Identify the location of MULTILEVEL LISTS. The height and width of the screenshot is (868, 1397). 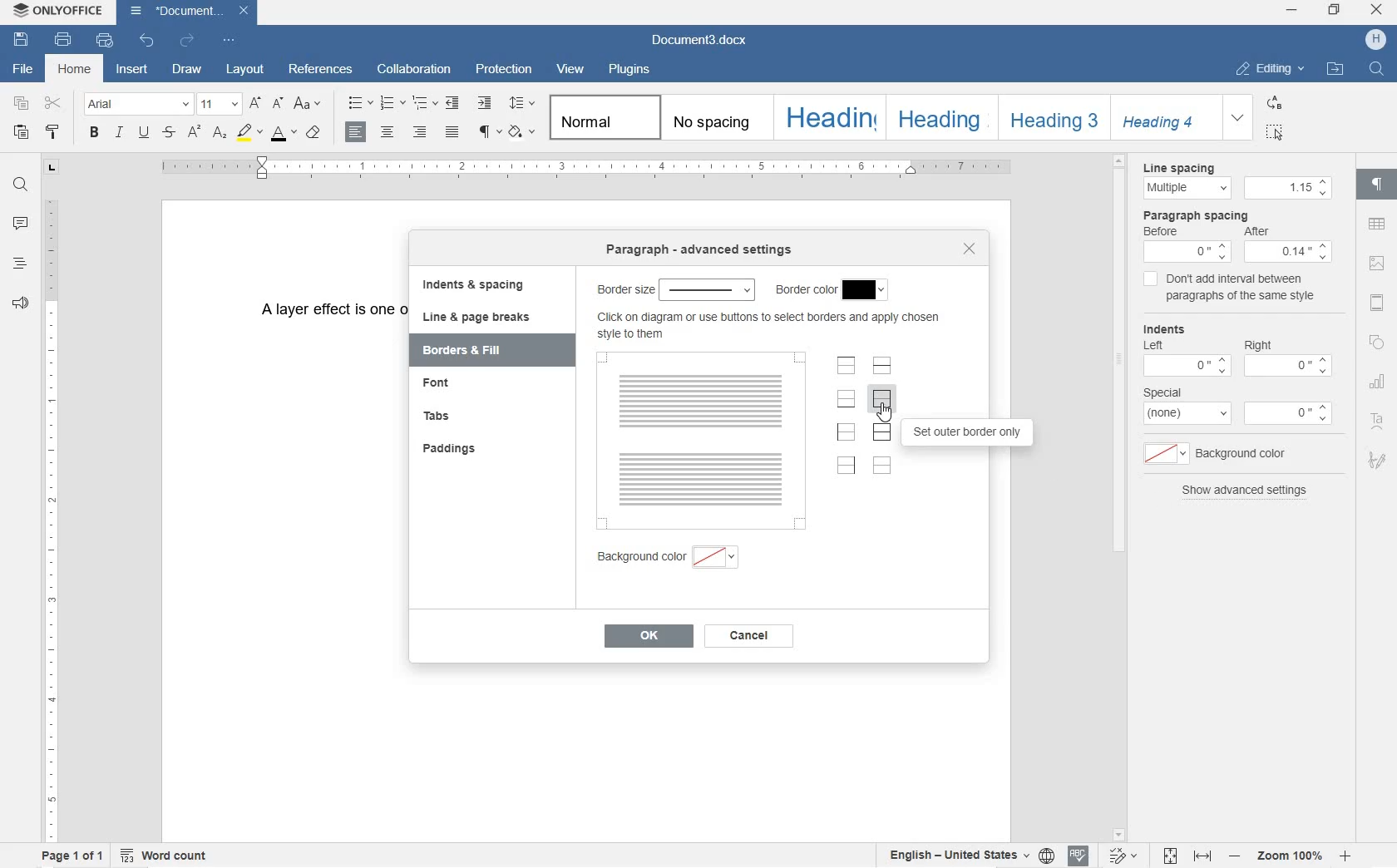
(425, 103).